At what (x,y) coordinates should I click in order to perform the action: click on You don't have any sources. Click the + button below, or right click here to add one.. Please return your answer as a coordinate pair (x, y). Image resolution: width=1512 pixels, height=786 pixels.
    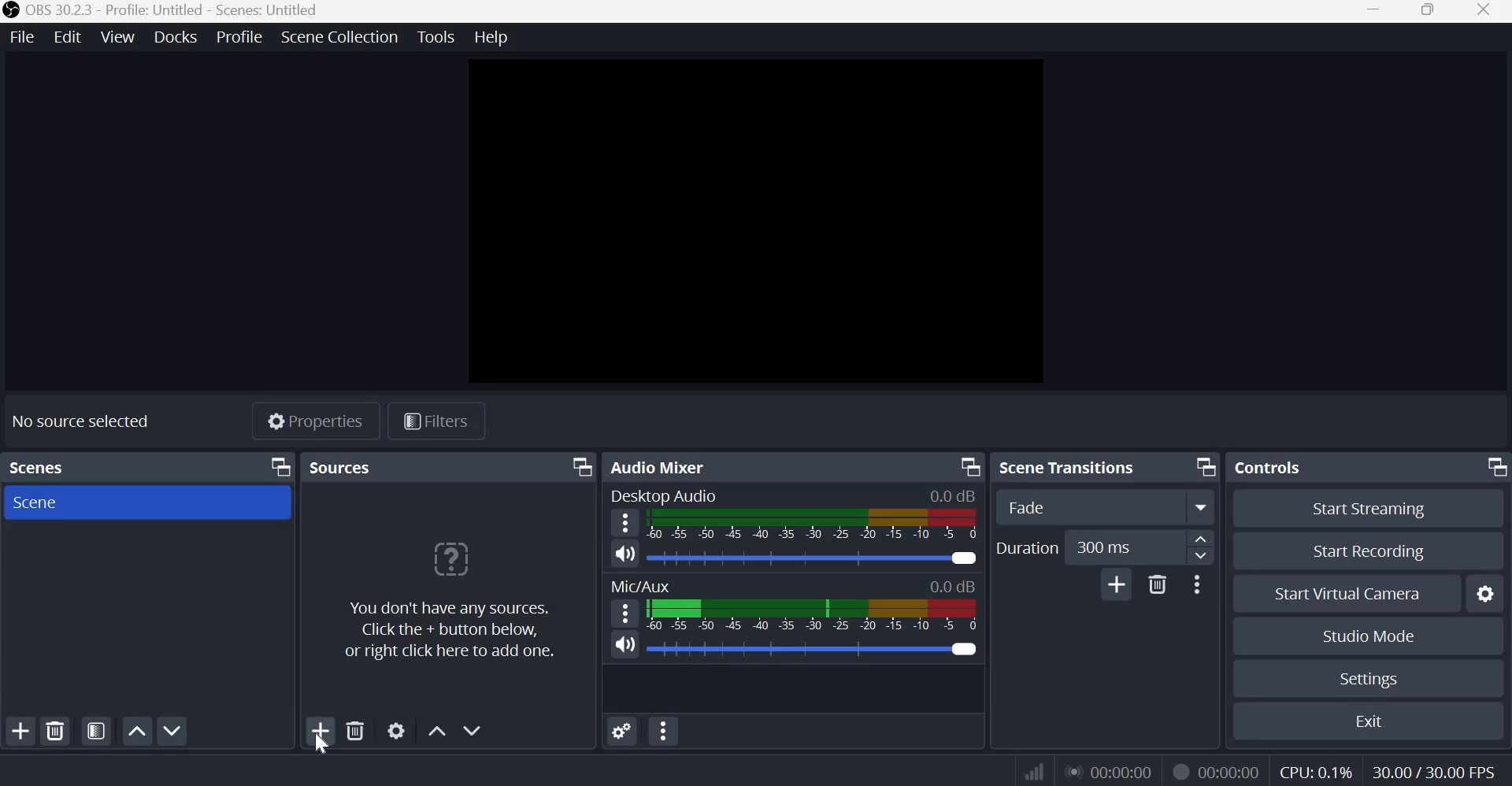
    Looking at the image, I should click on (450, 598).